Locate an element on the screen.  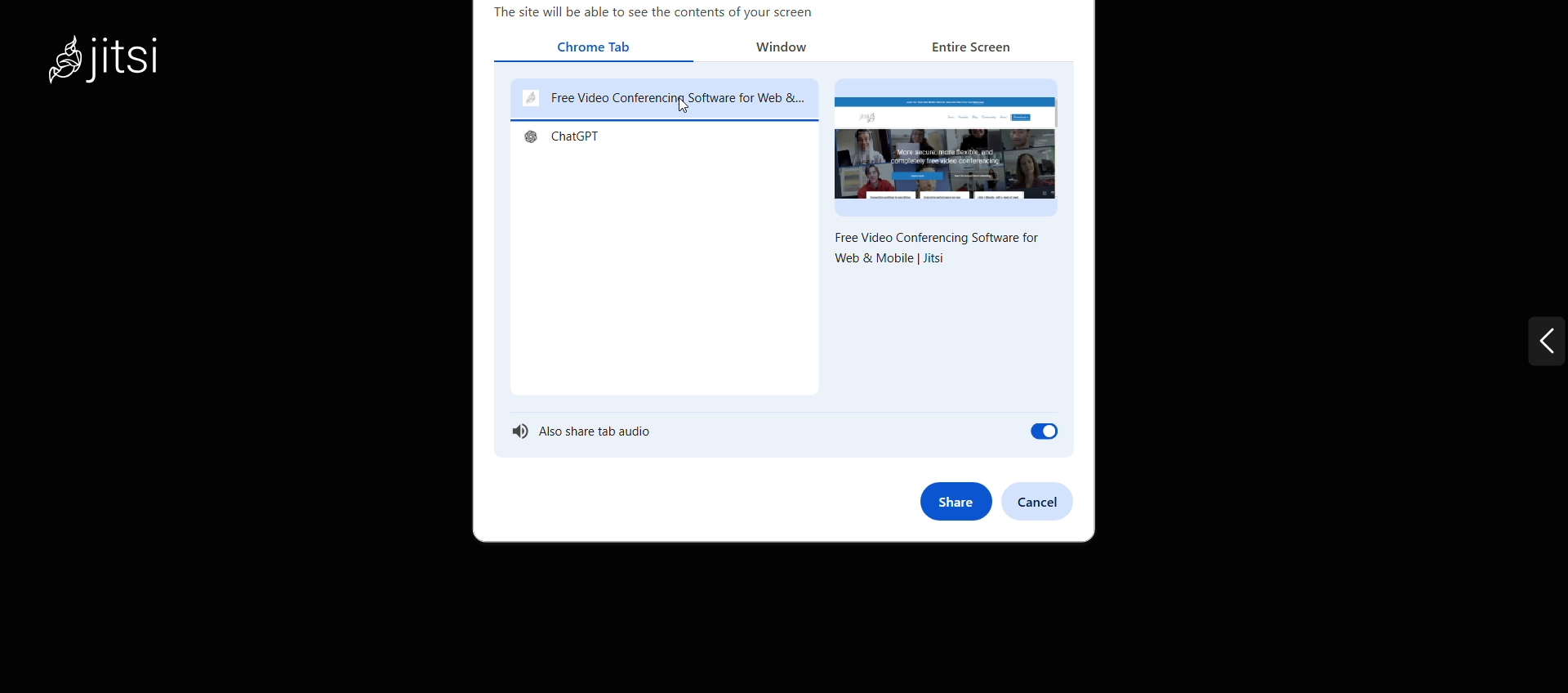
The site will be able to see the contents of your screen is located at coordinates (653, 13).